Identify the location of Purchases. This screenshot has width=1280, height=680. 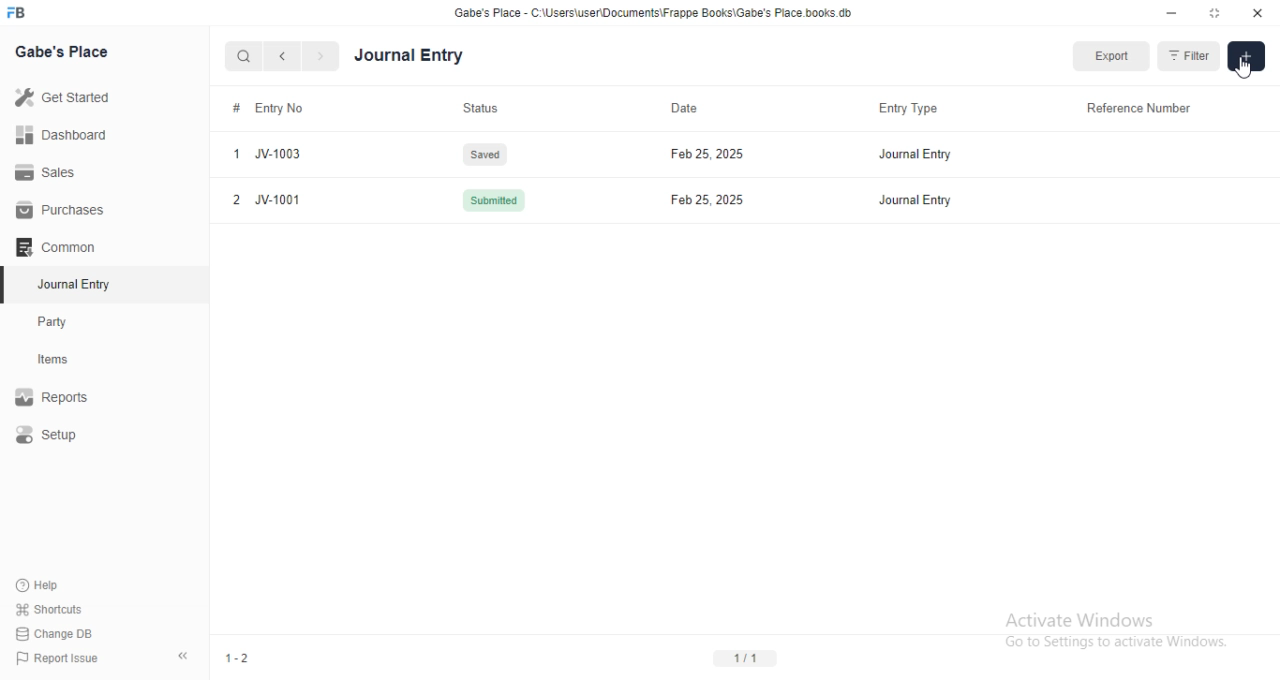
(56, 208).